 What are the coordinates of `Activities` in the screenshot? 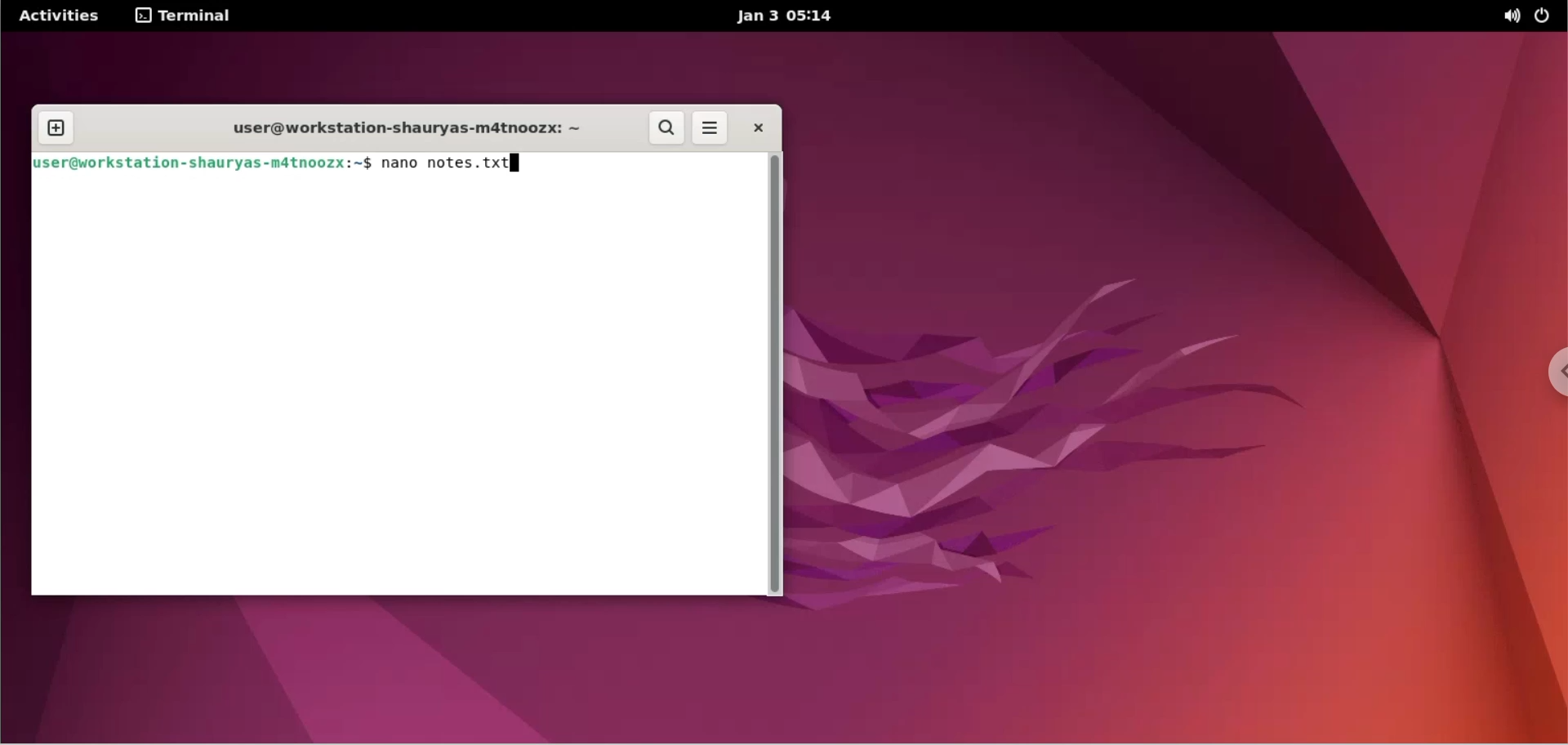 It's located at (60, 15).